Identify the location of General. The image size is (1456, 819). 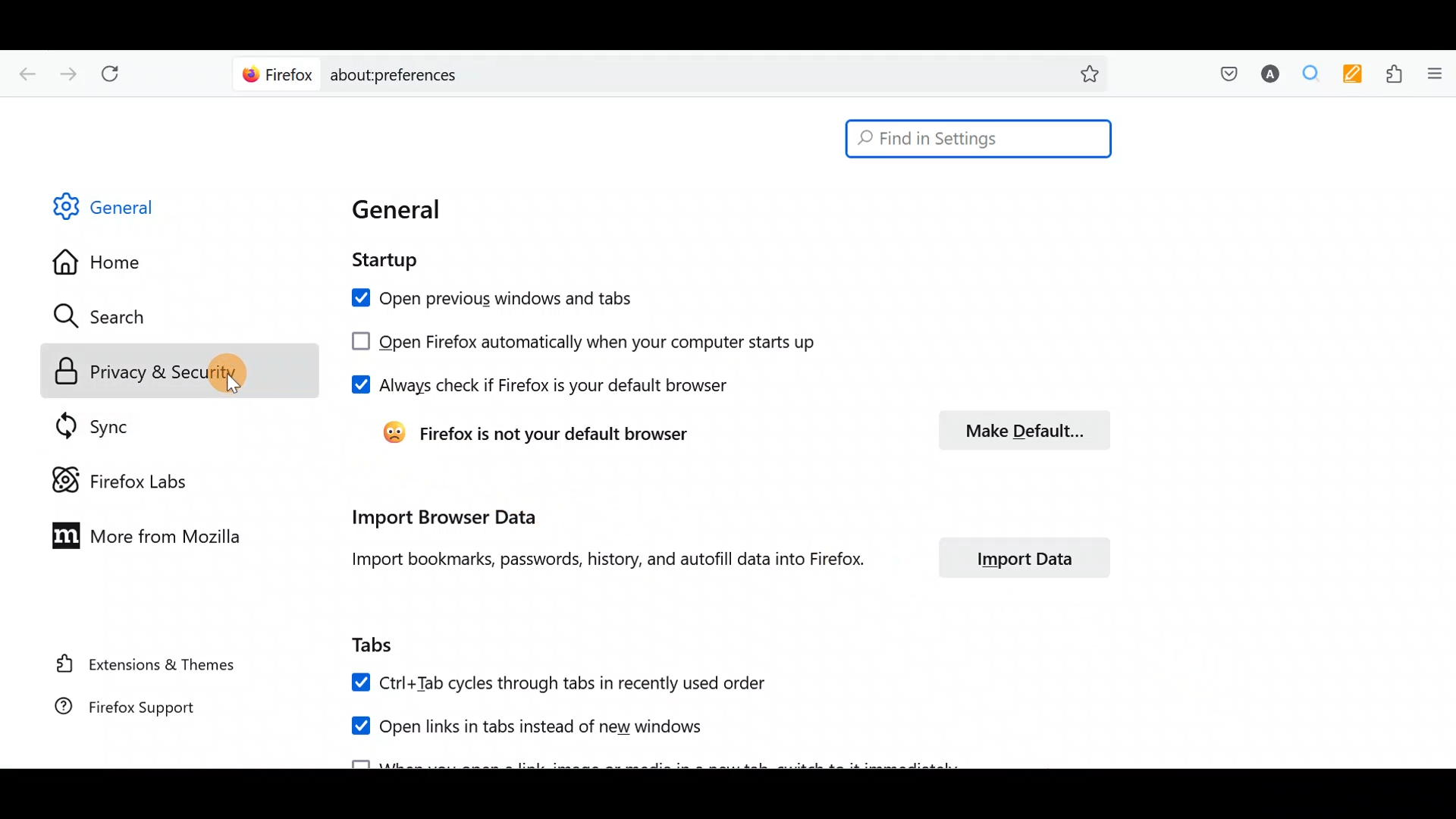
(104, 196).